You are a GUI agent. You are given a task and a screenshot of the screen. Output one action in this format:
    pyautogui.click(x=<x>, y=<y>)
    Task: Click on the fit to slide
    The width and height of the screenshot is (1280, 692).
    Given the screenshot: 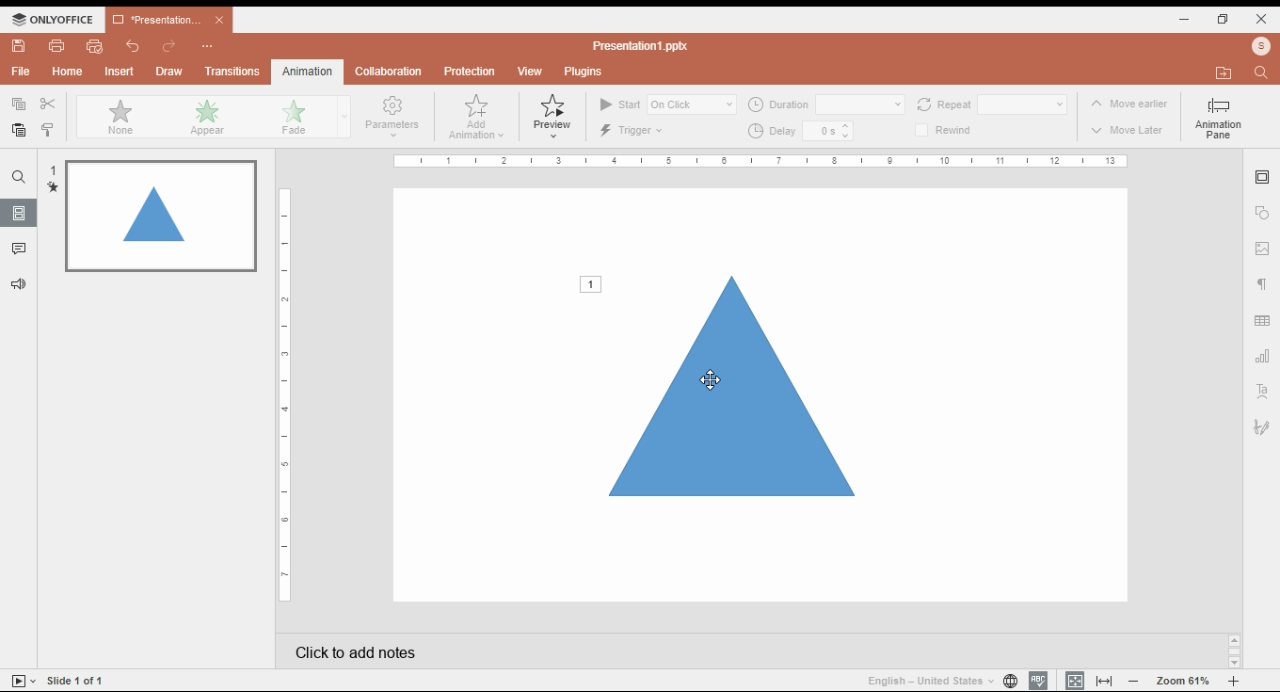 What is the action you would take?
    pyautogui.click(x=1077, y=681)
    